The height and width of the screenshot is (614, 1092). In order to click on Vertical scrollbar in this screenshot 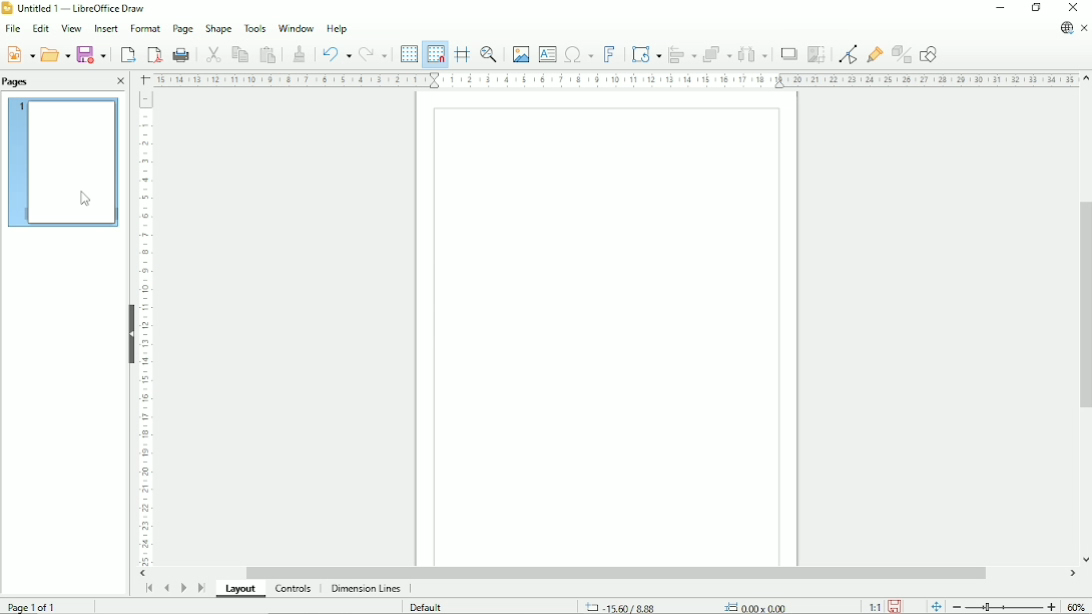, I will do `click(1082, 301)`.